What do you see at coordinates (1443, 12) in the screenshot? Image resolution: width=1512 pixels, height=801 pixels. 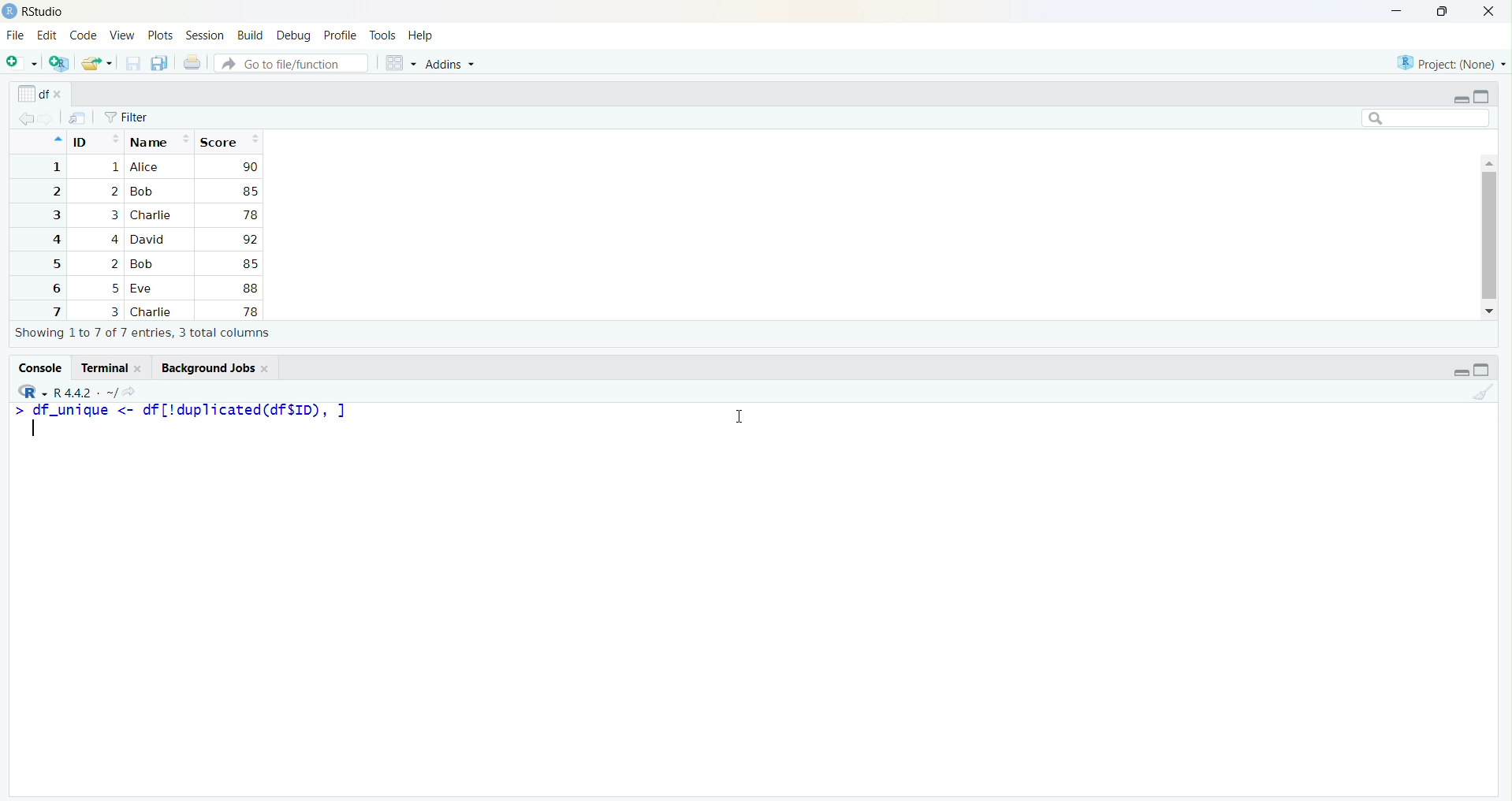 I see `resize` at bounding box center [1443, 12].